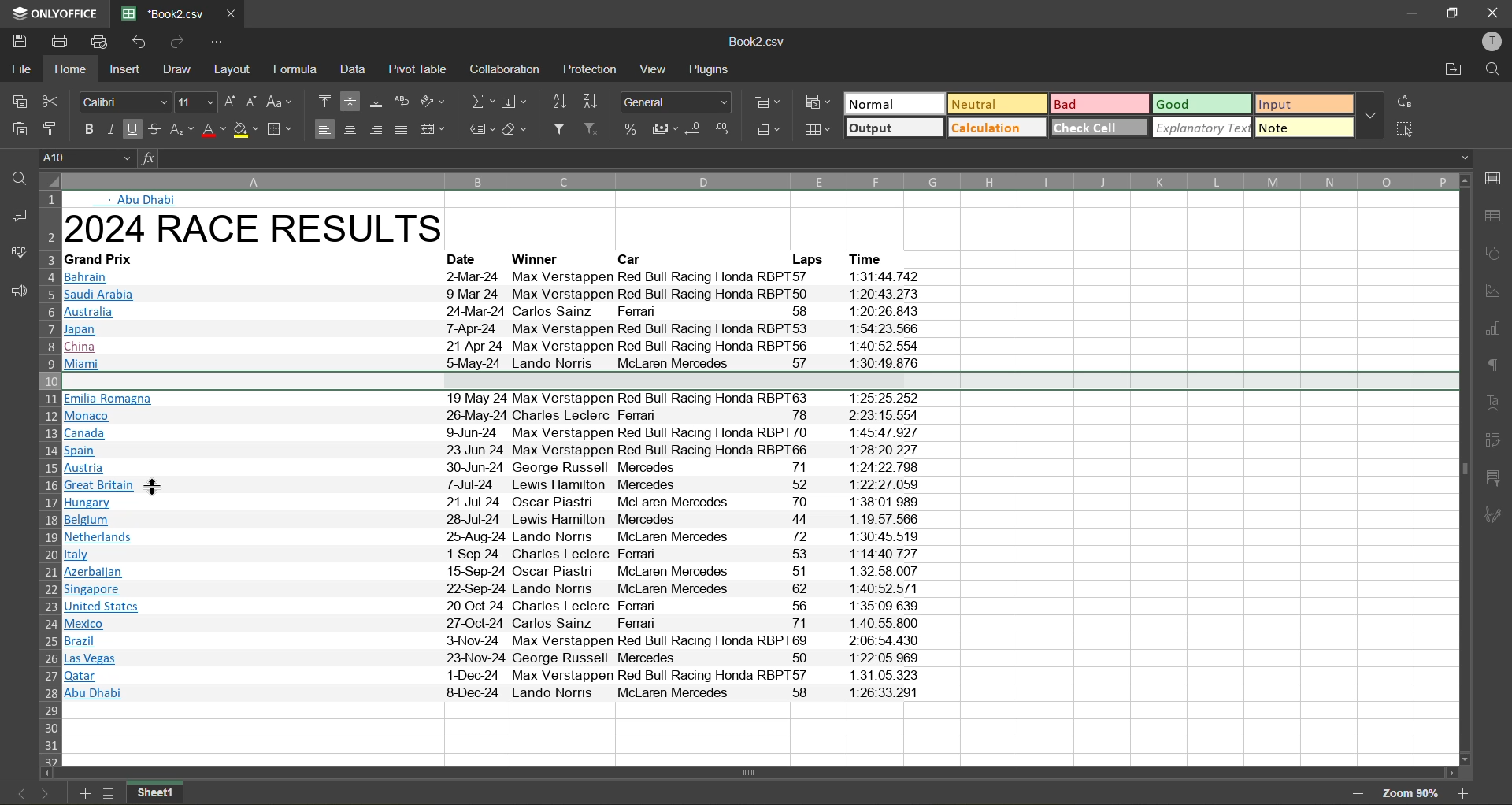 The image size is (1512, 805). I want to click on select whole sheet, so click(49, 182).